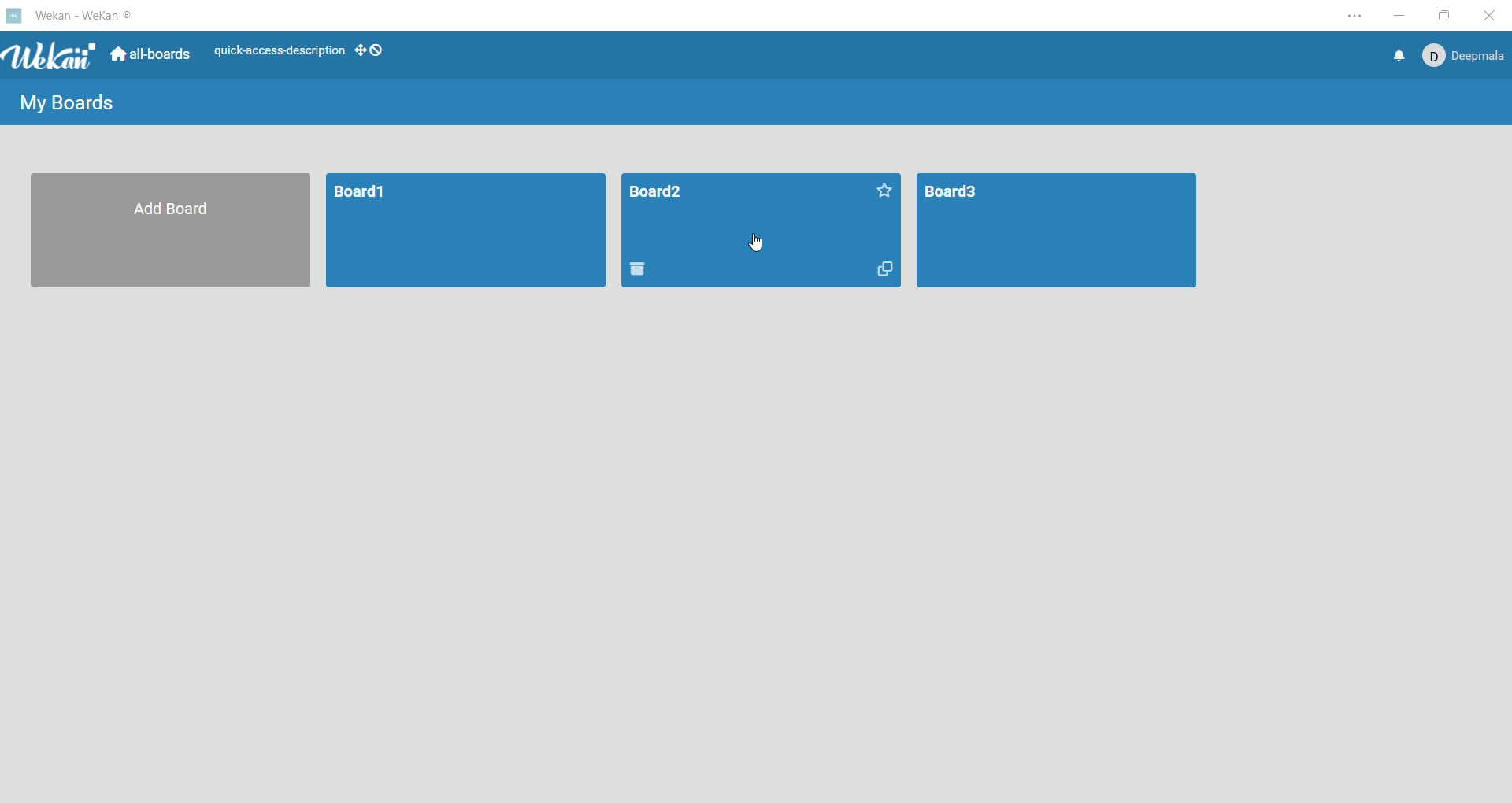 The width and height of the screenshot is (1512, 803). Describe the element at coordinates (754, 241) in the screenshot. I see `cursor` at that location.